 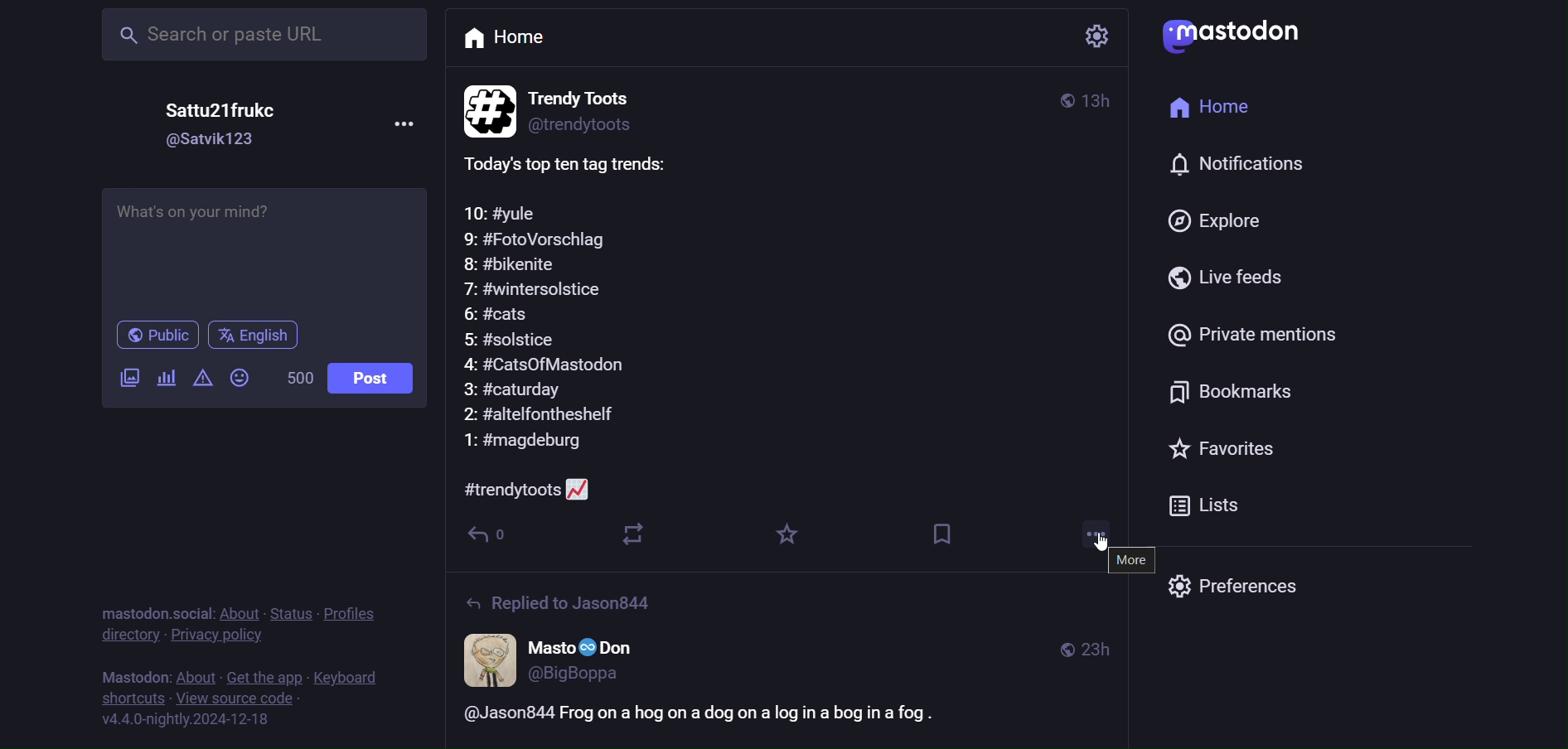 I want to click on other post, so click(x=786, y=661).